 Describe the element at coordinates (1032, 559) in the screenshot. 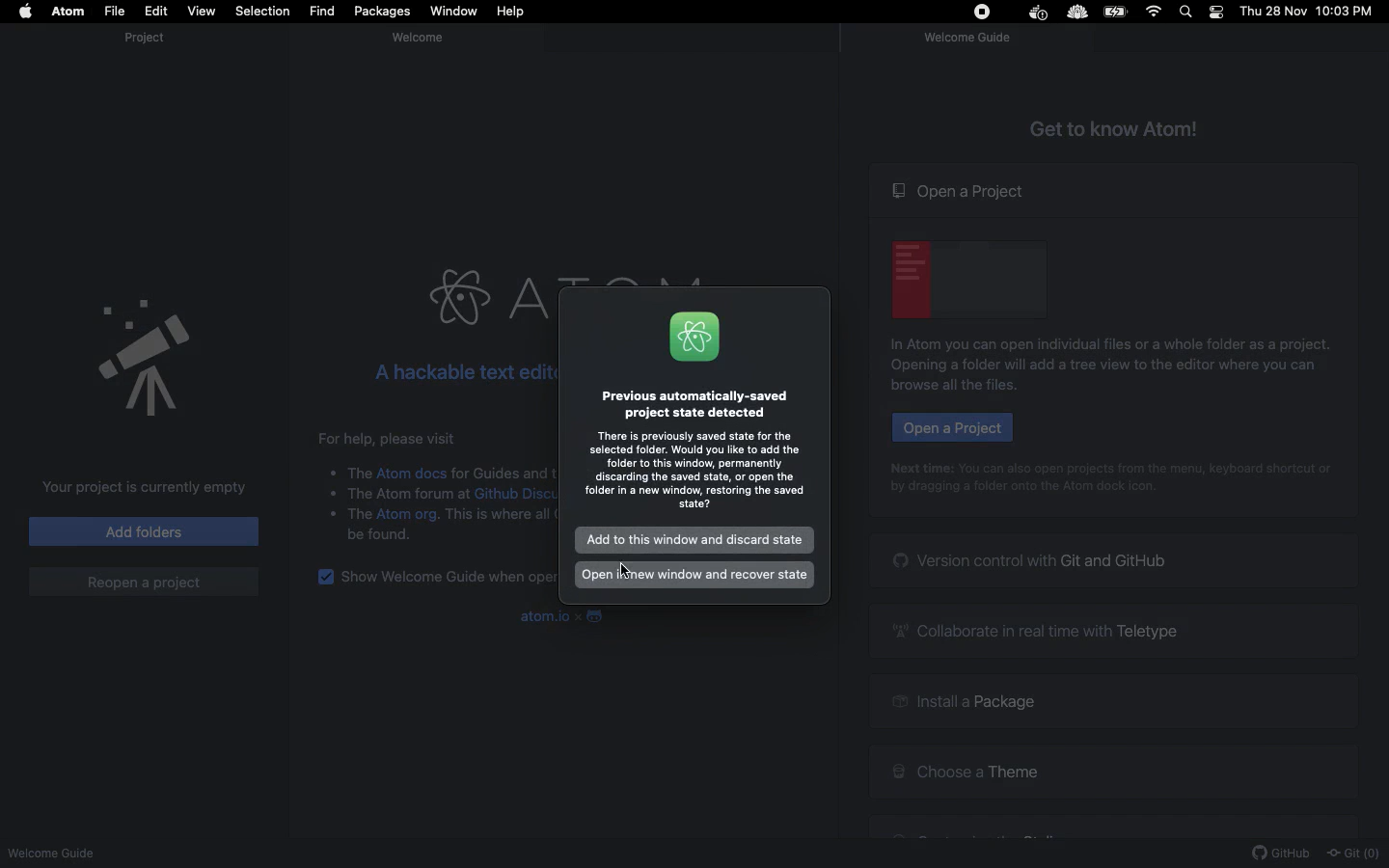

I see `Version control with Git and Github` at that location.